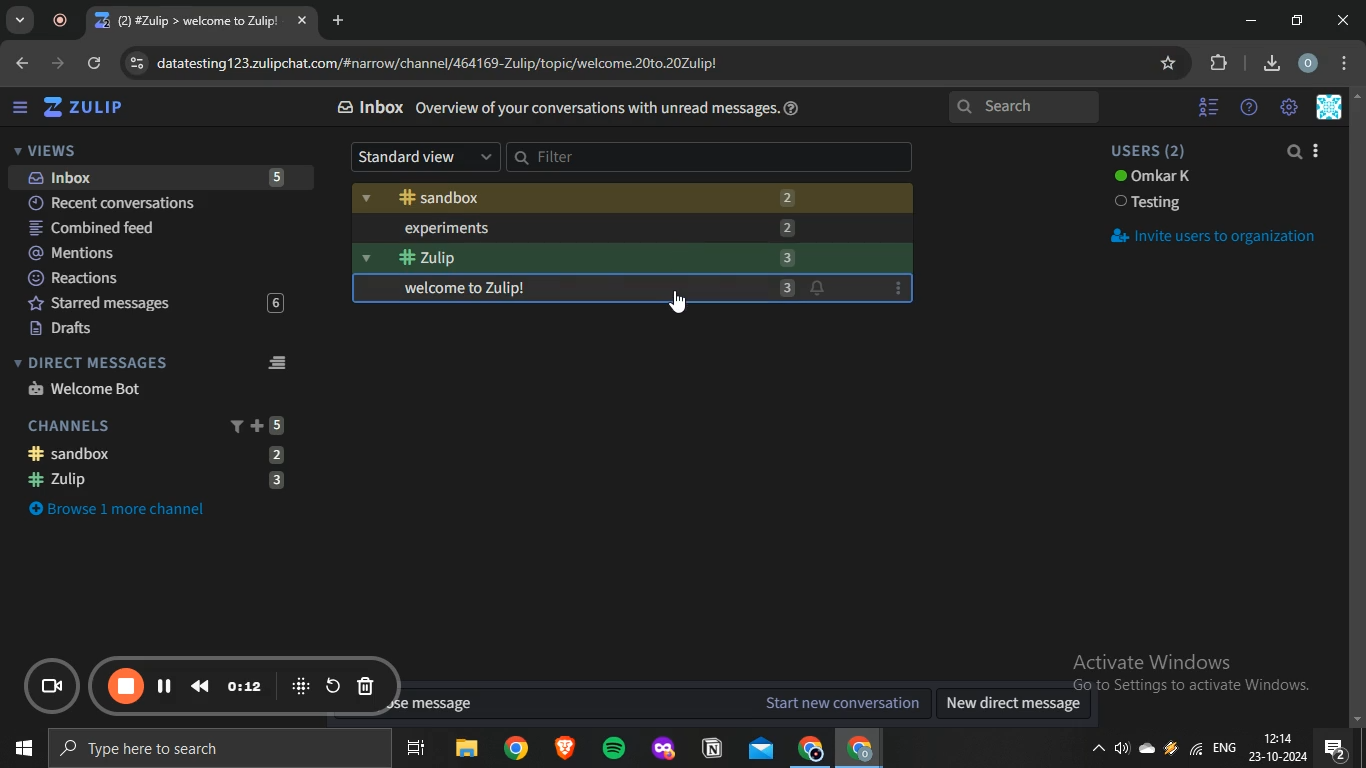 The image size is (1366, 768). Describe the element at coordinates (820, 290) in the screenshot. I see `notifications` at that location.